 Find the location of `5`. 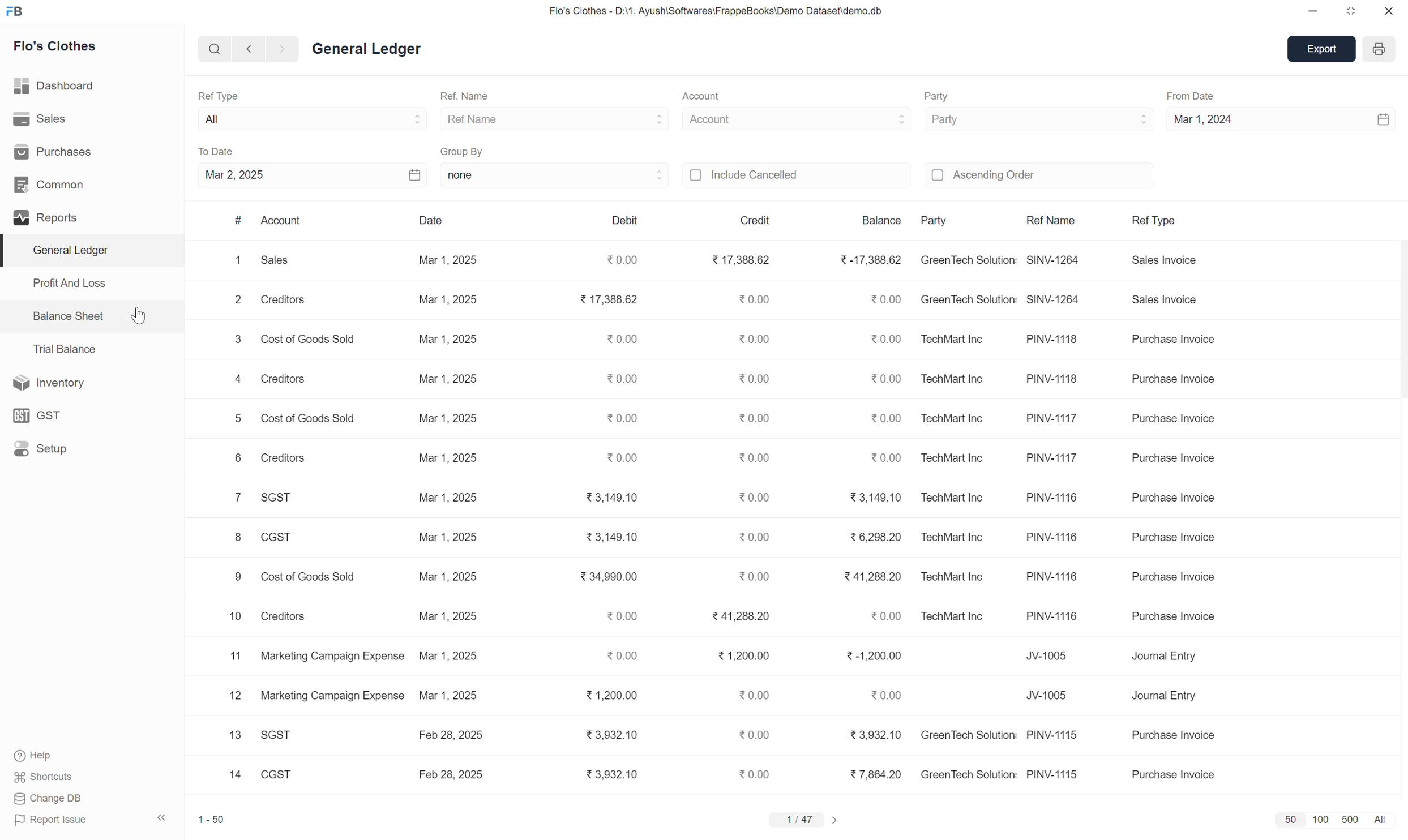

5 is located at coordinates (236, 419).